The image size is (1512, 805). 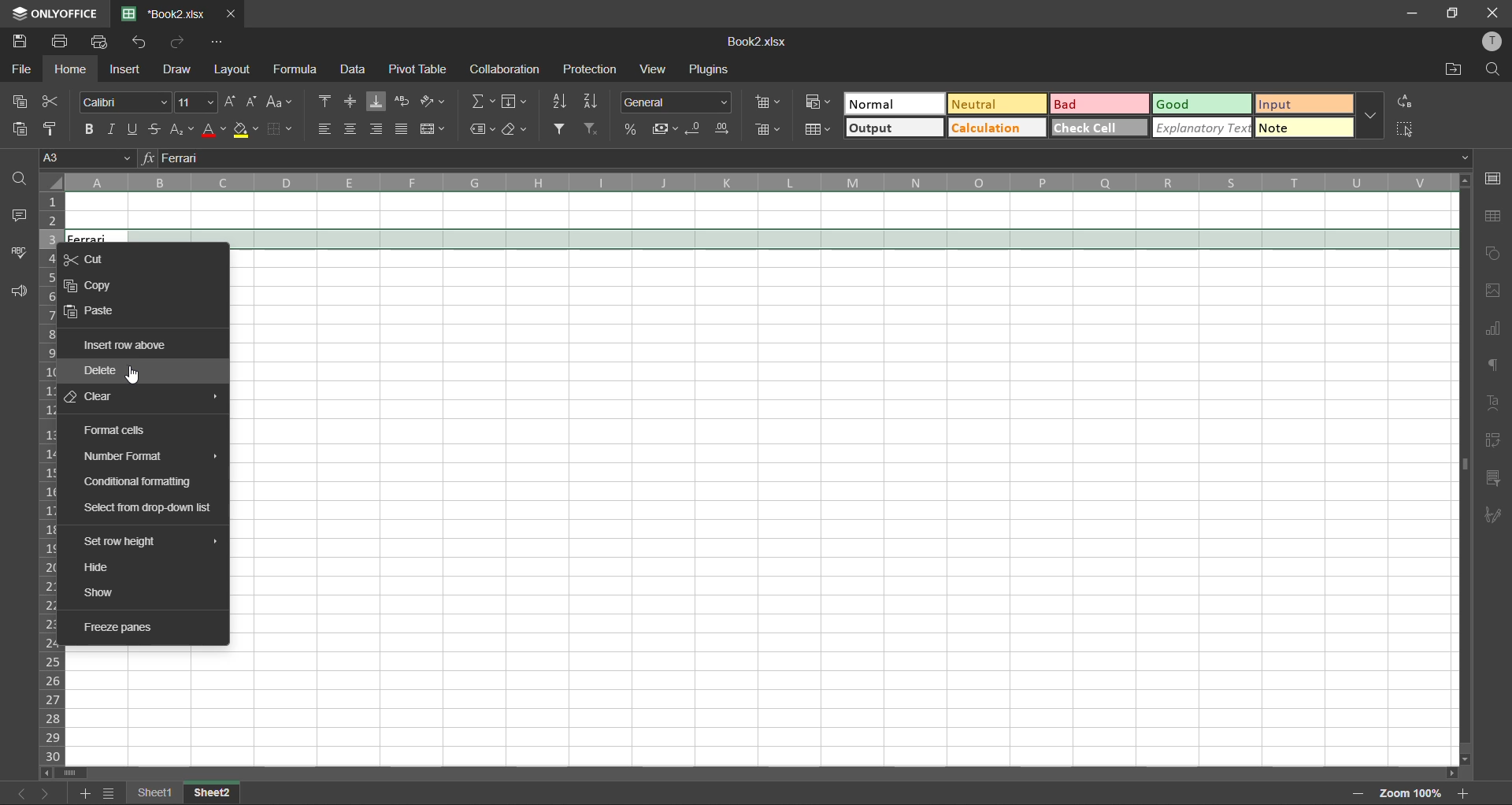 I want to click on copy style, so click(x=55, y=129).